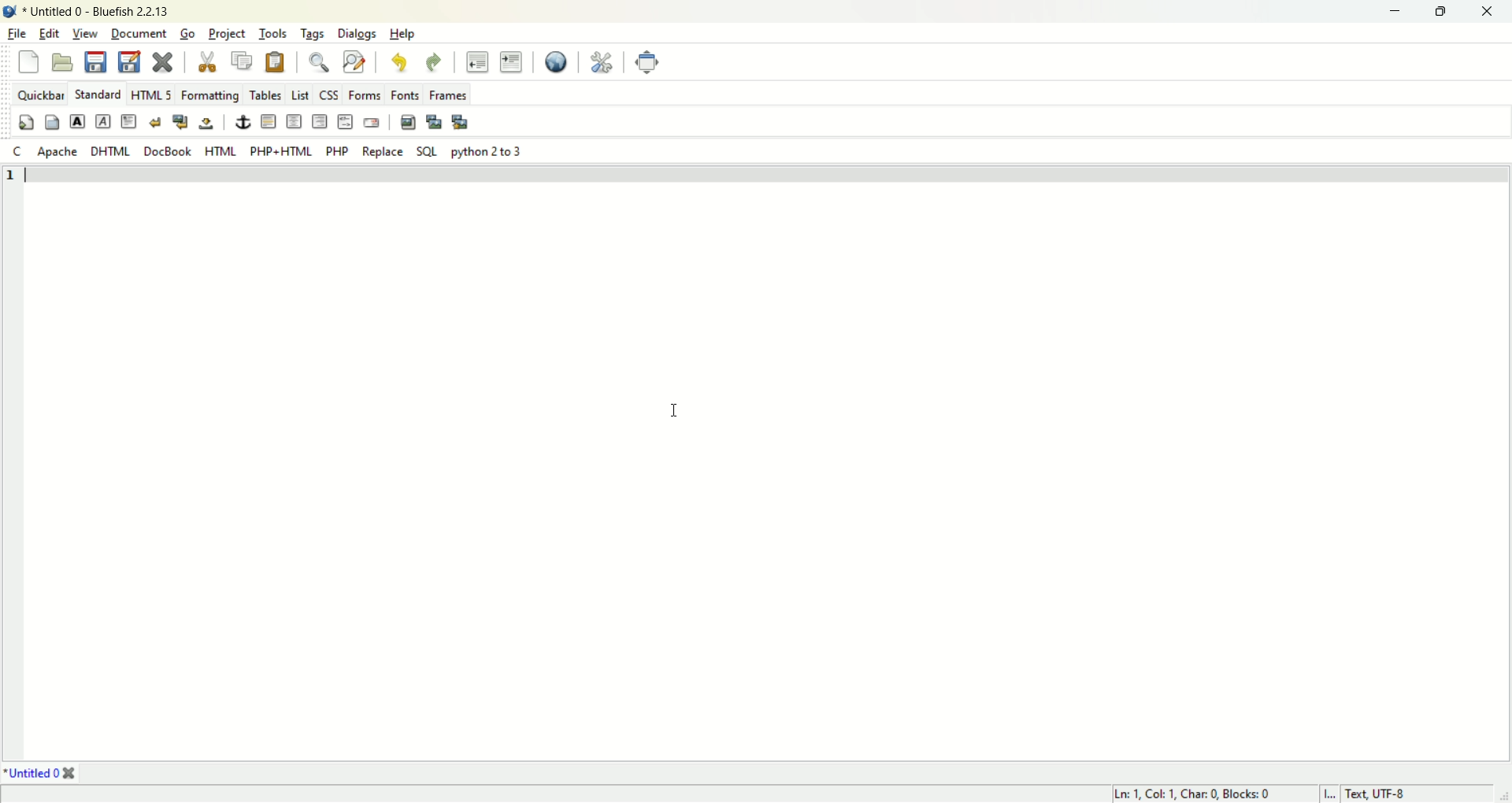 This screenshot has height=803, width=1512. Describe the element at coordinates (366, 94) in the screenshot. I see `forms` at that location.